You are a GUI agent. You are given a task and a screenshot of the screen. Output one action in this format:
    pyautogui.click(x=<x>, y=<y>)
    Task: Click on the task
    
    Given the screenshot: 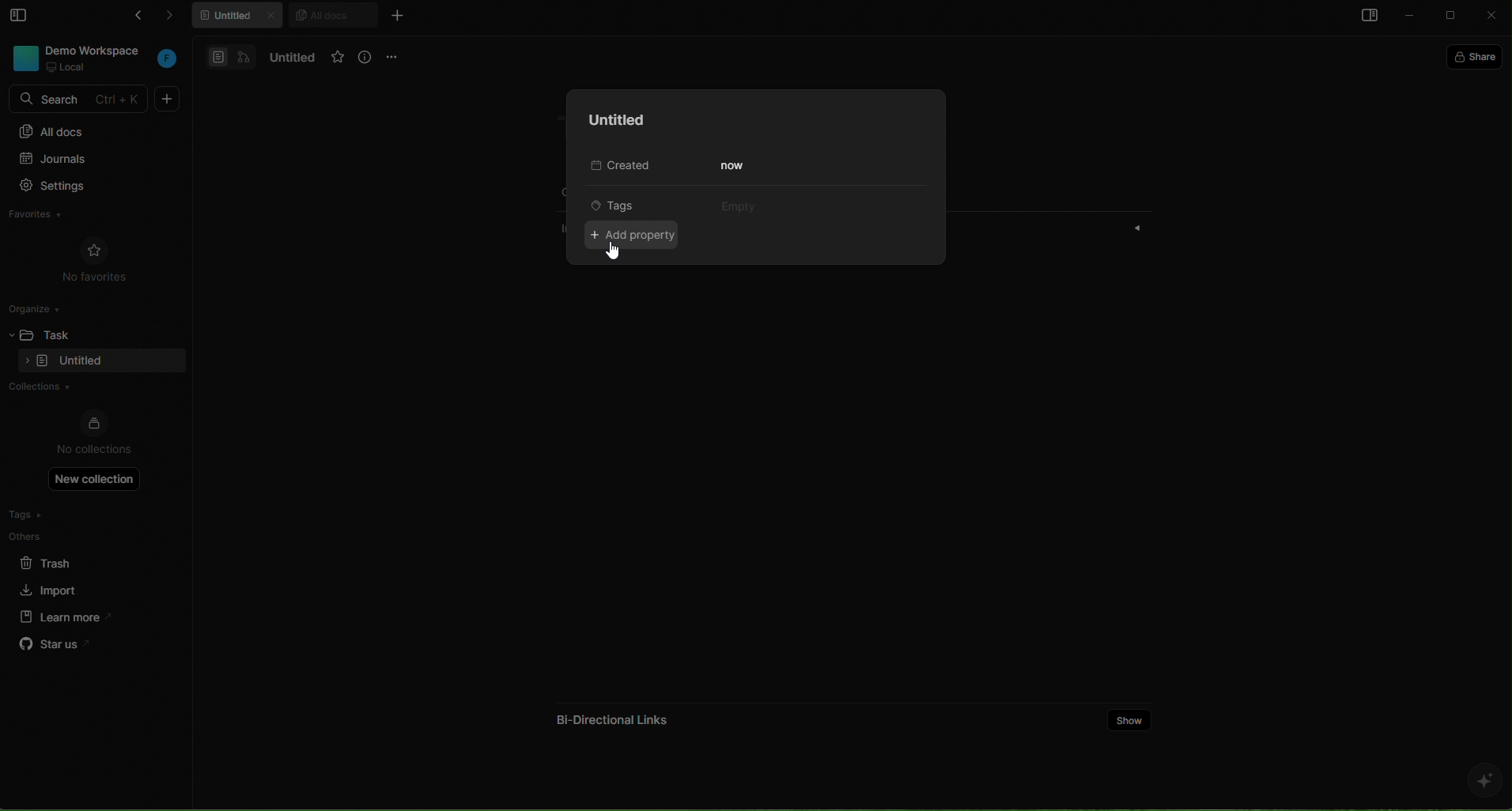 What is the action you would take?
    pyautogui.click(x=64, y=333)
    